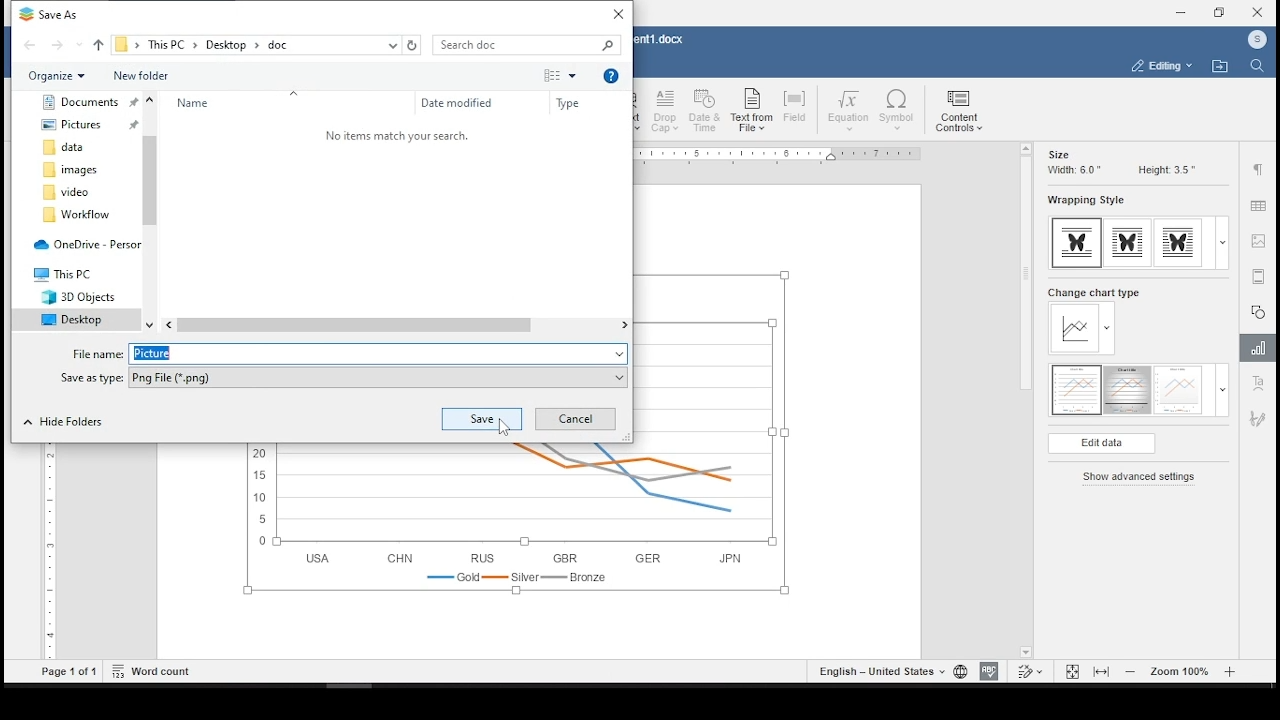  I want to click on scroll bar, so click(398, 326).